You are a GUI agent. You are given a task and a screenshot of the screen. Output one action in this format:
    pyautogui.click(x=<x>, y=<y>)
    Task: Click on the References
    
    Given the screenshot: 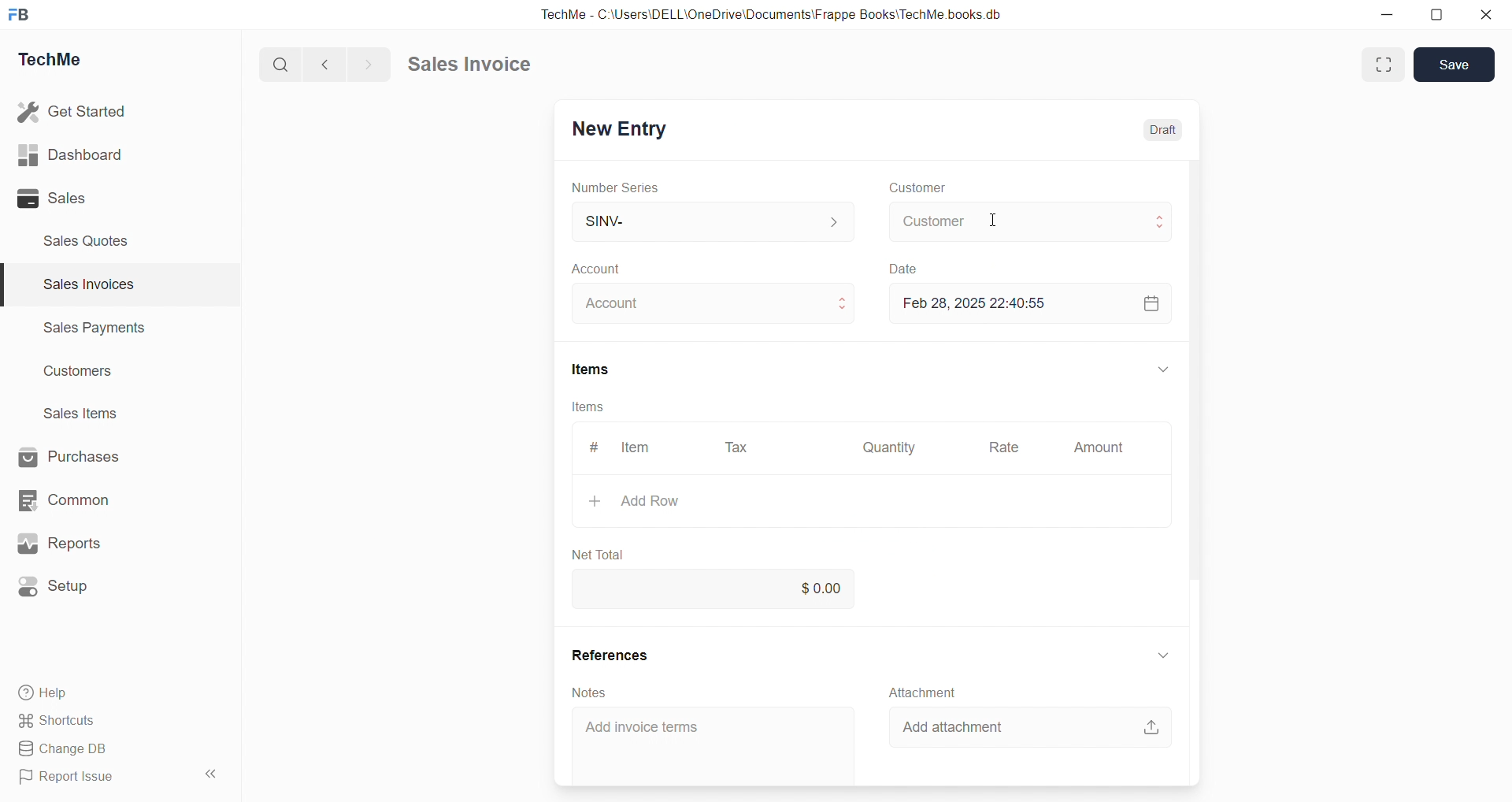 What is the action you would take?
    pyautogui.click(x=610, y=655)
    